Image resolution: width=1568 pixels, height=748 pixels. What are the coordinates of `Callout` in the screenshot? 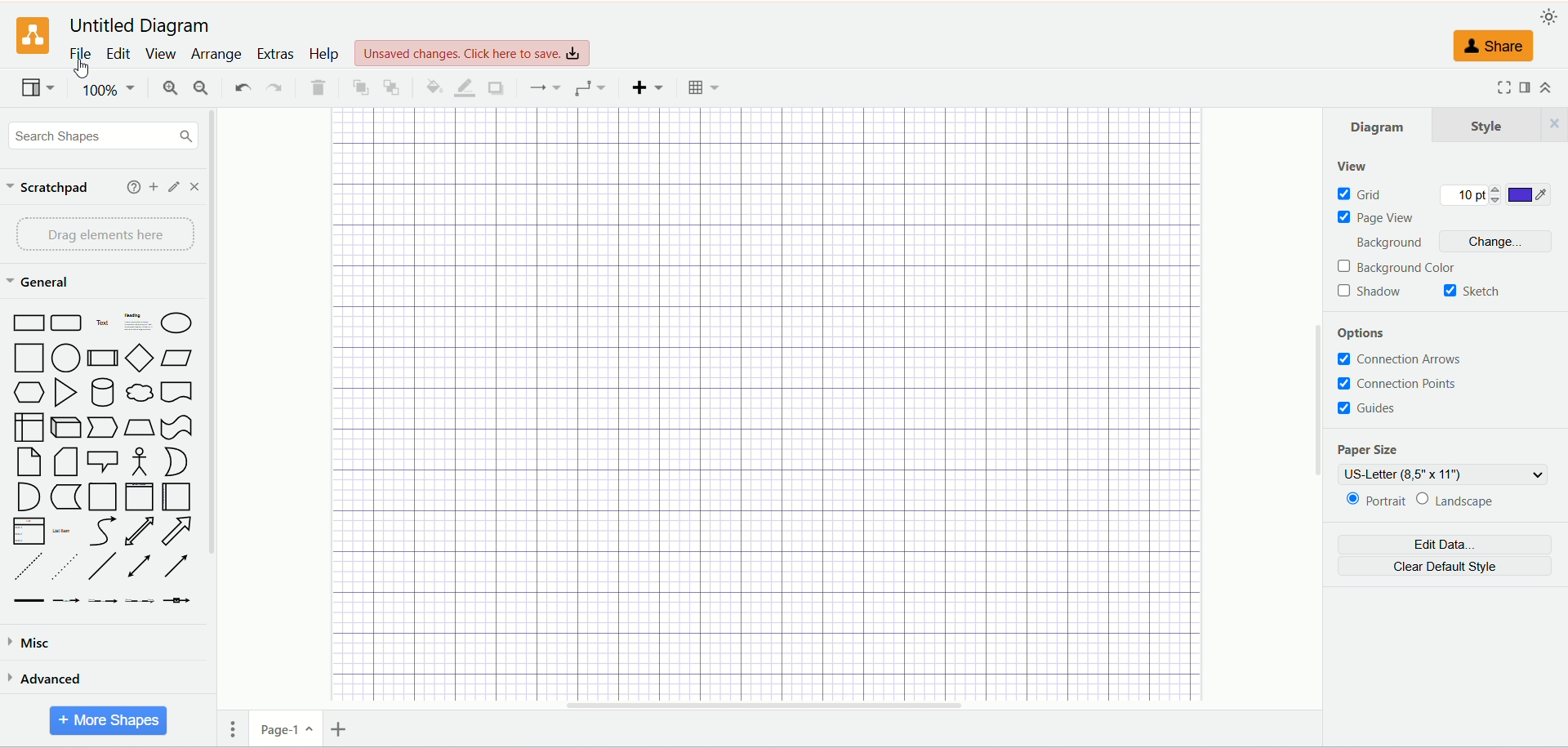 It's located at (104, 463).